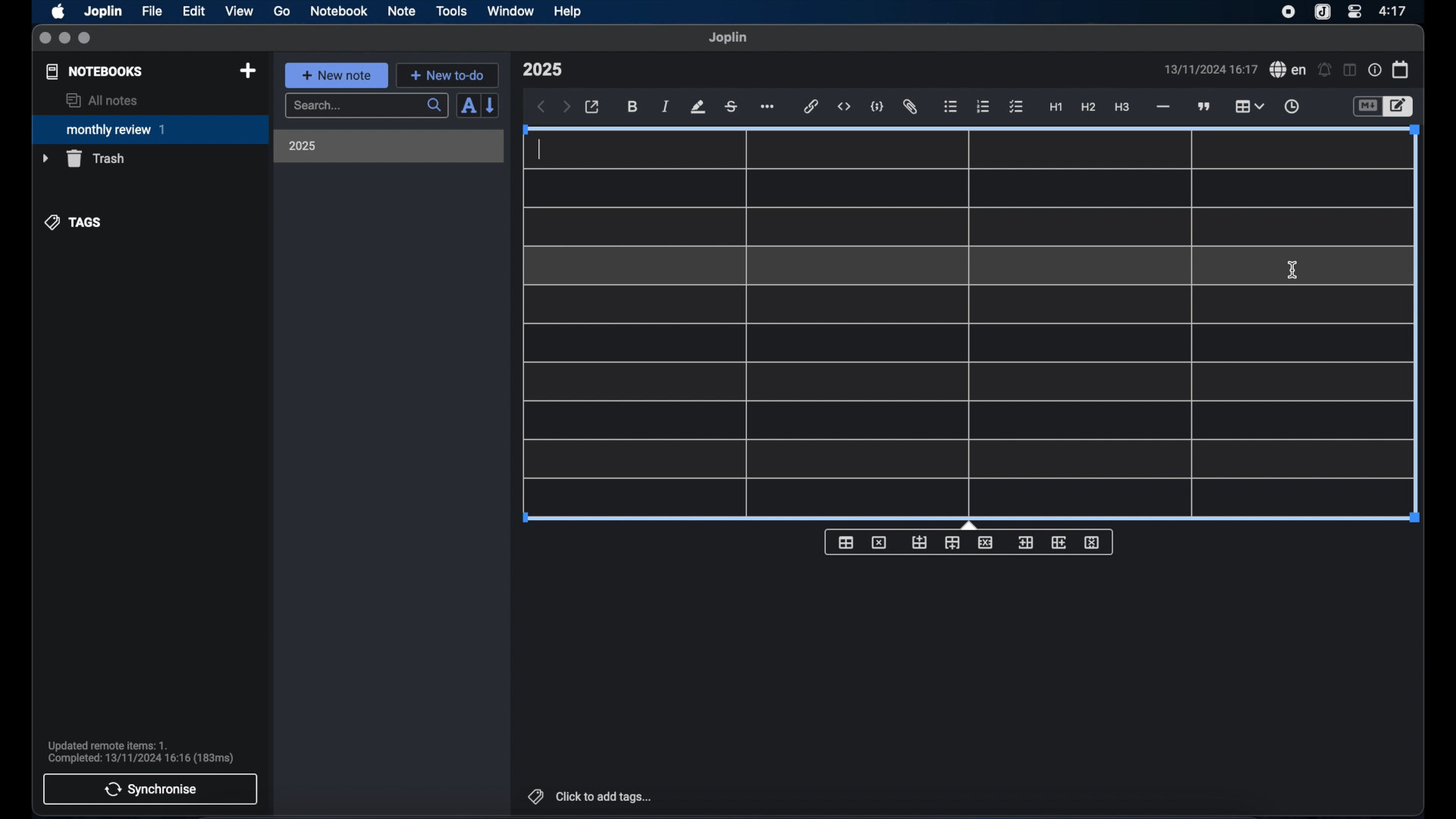 The image size is (1456, 819). What do you see at coordinates (728, 37) in the screenshot?
I see `joplin` at bounding box center [728, 37].